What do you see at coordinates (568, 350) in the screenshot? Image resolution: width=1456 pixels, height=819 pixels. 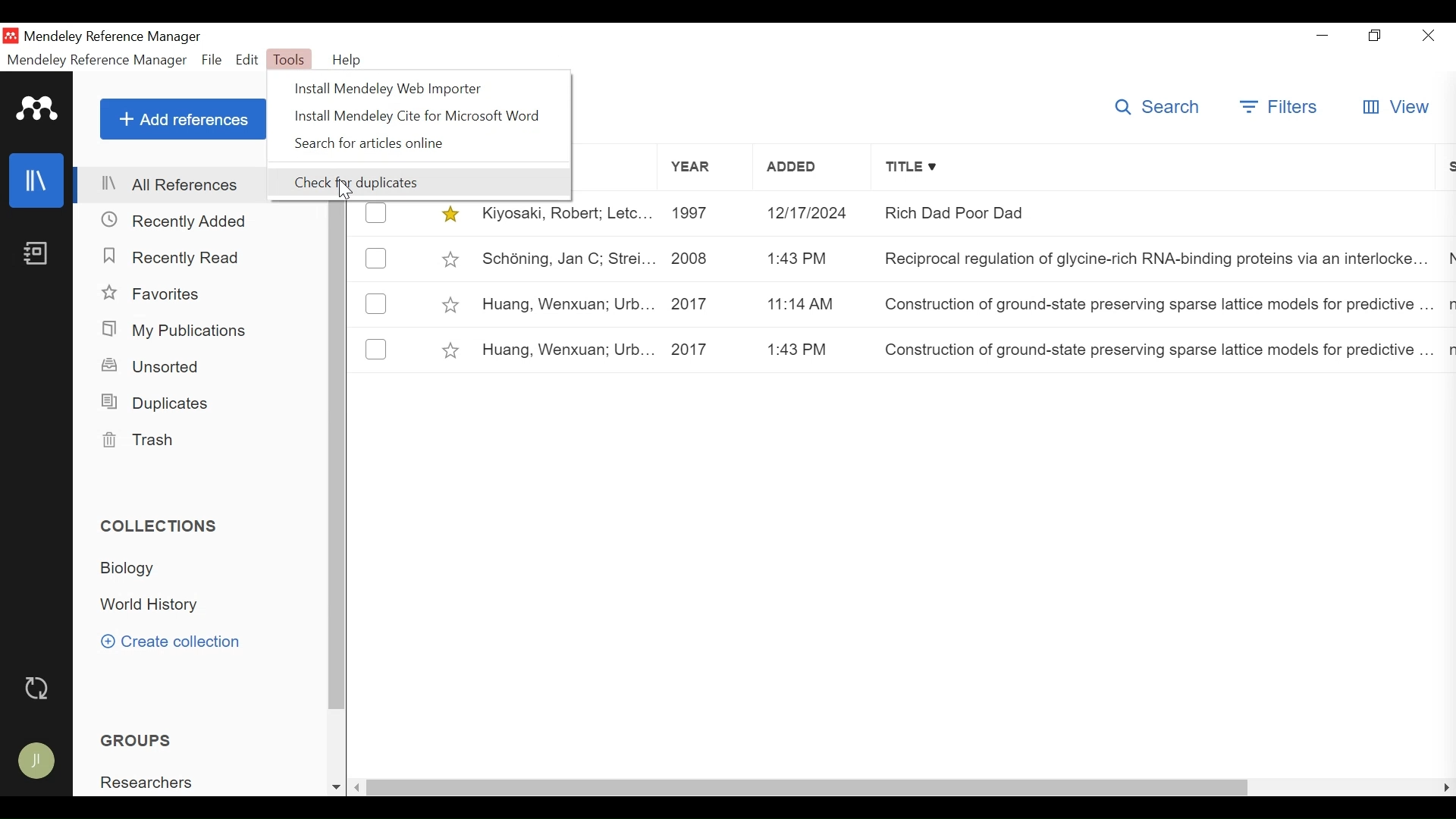 I see `Huang,  Wenxuan` at bounding box center [568, 350].